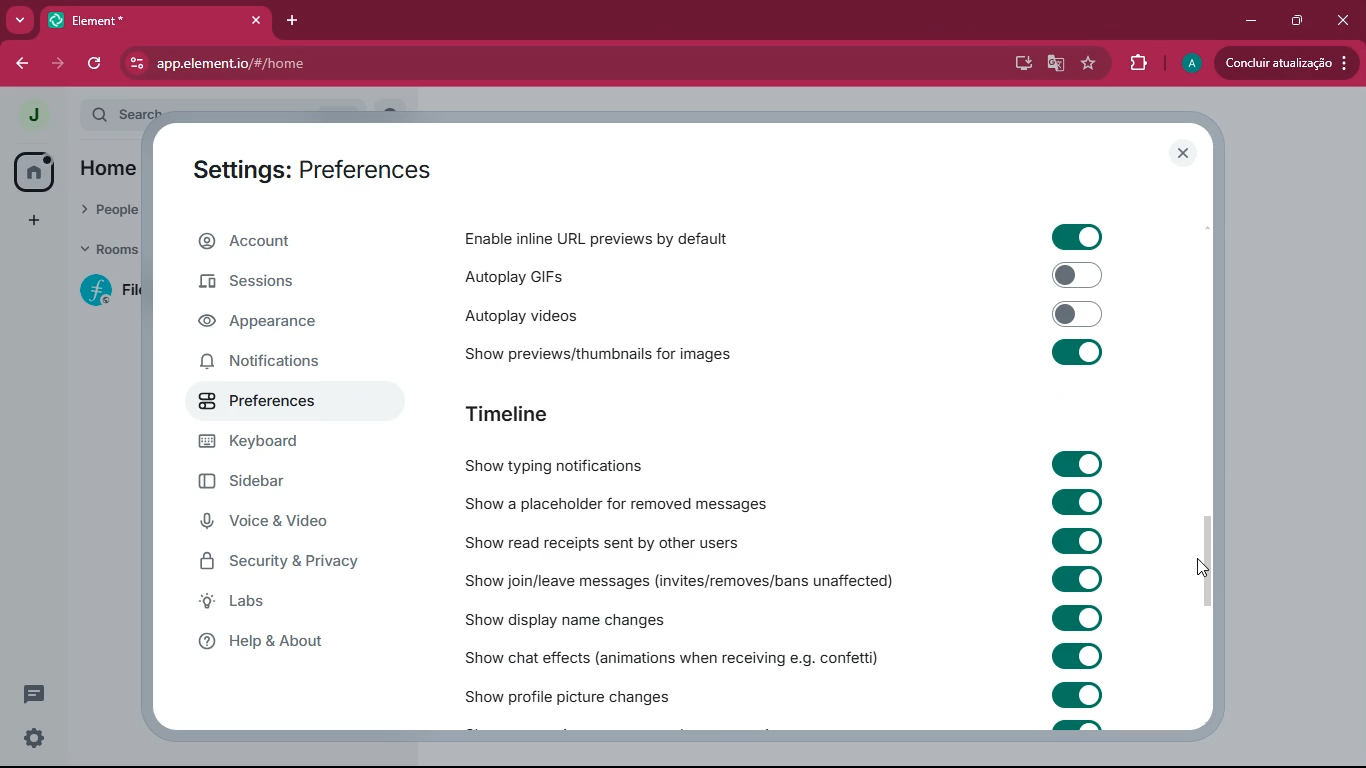 The height and width of the screenshot is (768, 1366). Describe the element at coordinates (1077, 352) in the screenshot. I see `toggle on/off` at that location.